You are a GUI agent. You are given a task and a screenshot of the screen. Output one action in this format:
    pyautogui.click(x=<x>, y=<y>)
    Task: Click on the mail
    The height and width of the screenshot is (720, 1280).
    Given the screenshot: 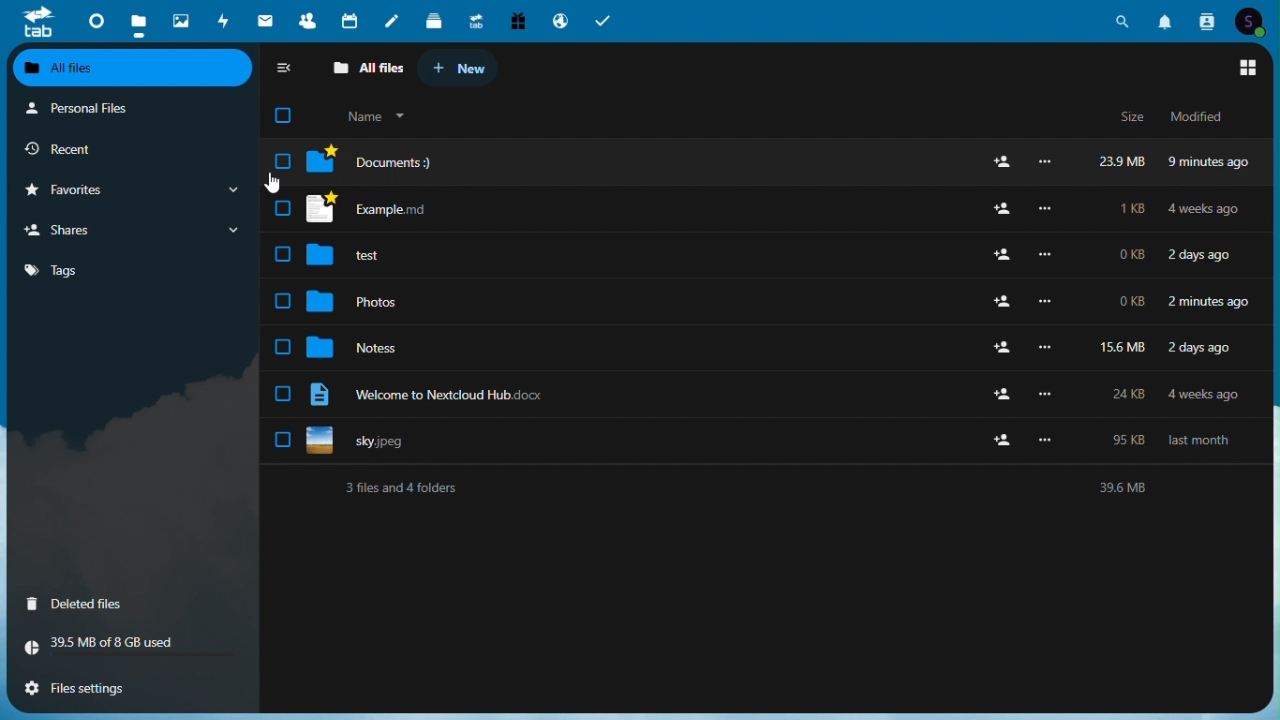 What is the action you would take?
    pyautogui.click(x=264, y=19)
    